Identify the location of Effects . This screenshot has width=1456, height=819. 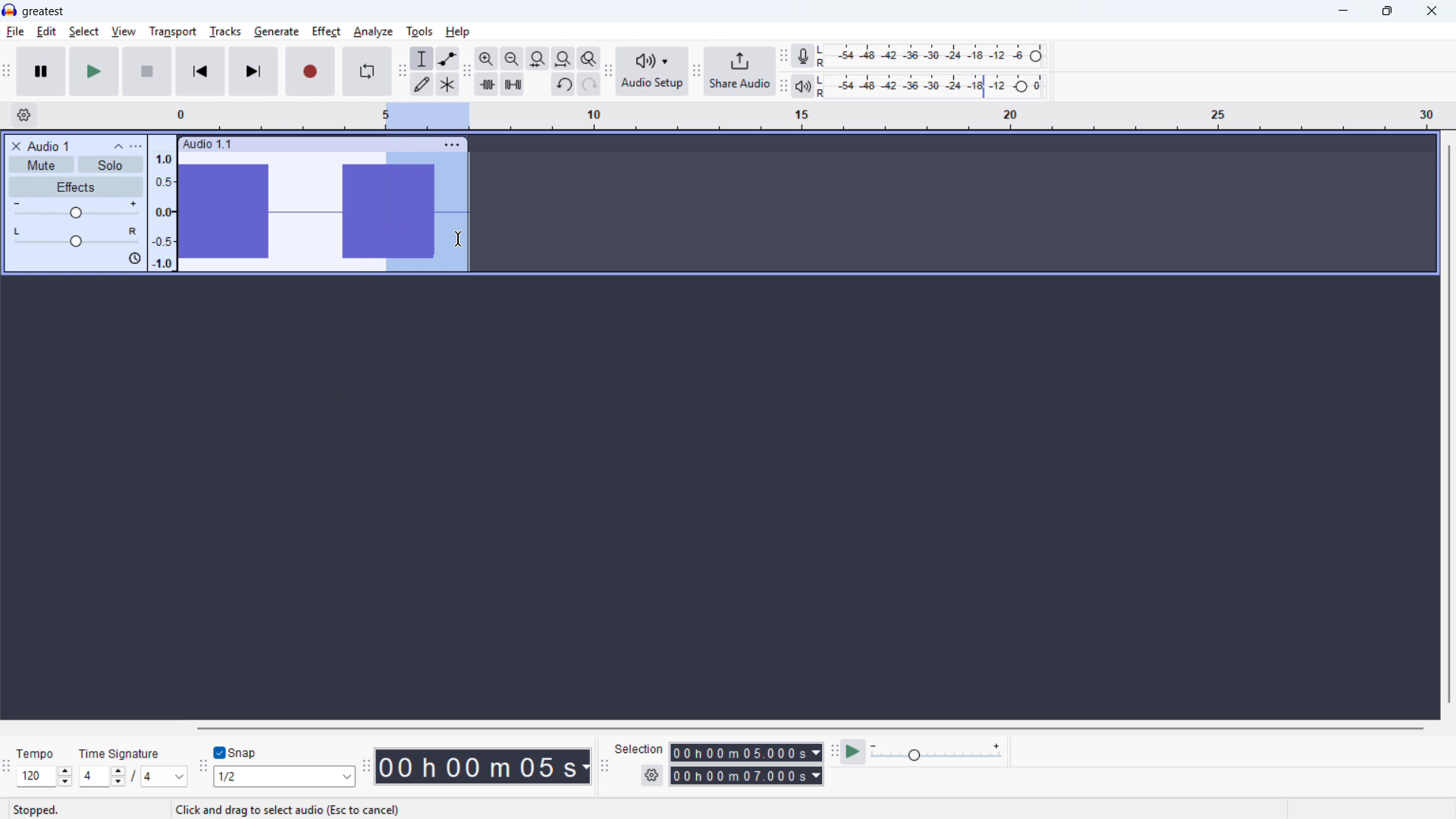
(77, 187).